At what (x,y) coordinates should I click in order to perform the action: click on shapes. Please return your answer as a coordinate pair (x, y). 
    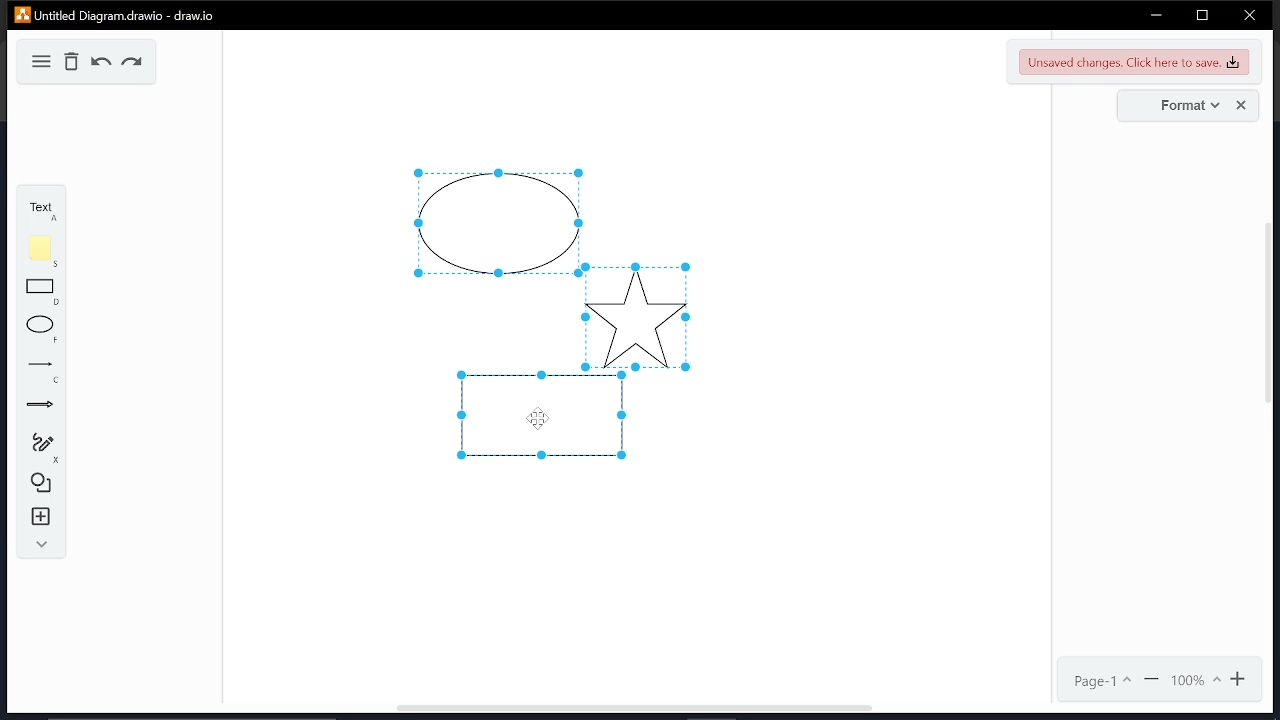
    Looking at the image, I should click on (42, 481).